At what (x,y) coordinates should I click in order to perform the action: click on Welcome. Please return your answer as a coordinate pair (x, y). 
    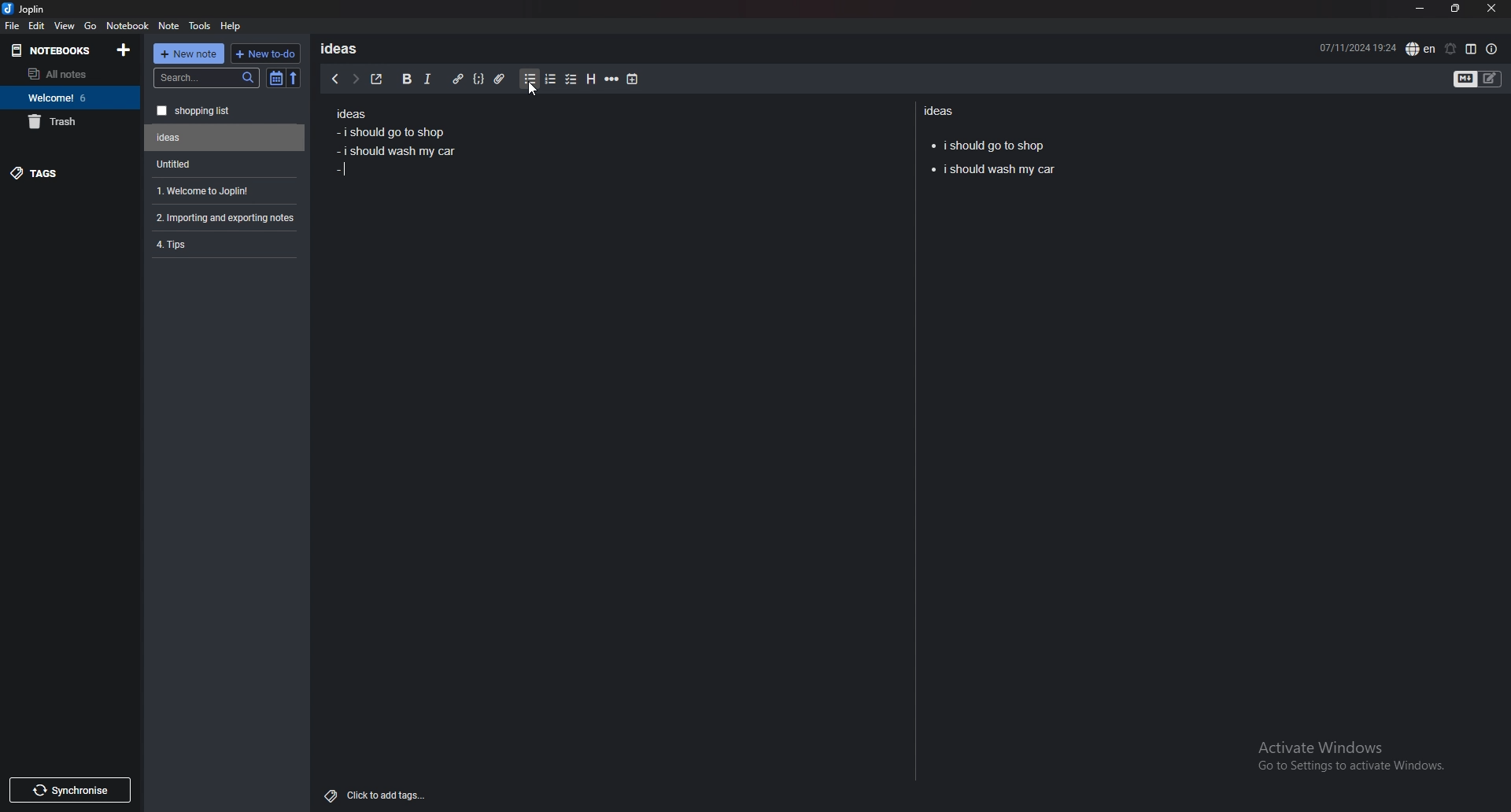
    Looking at the image, I should click on (69, 97).